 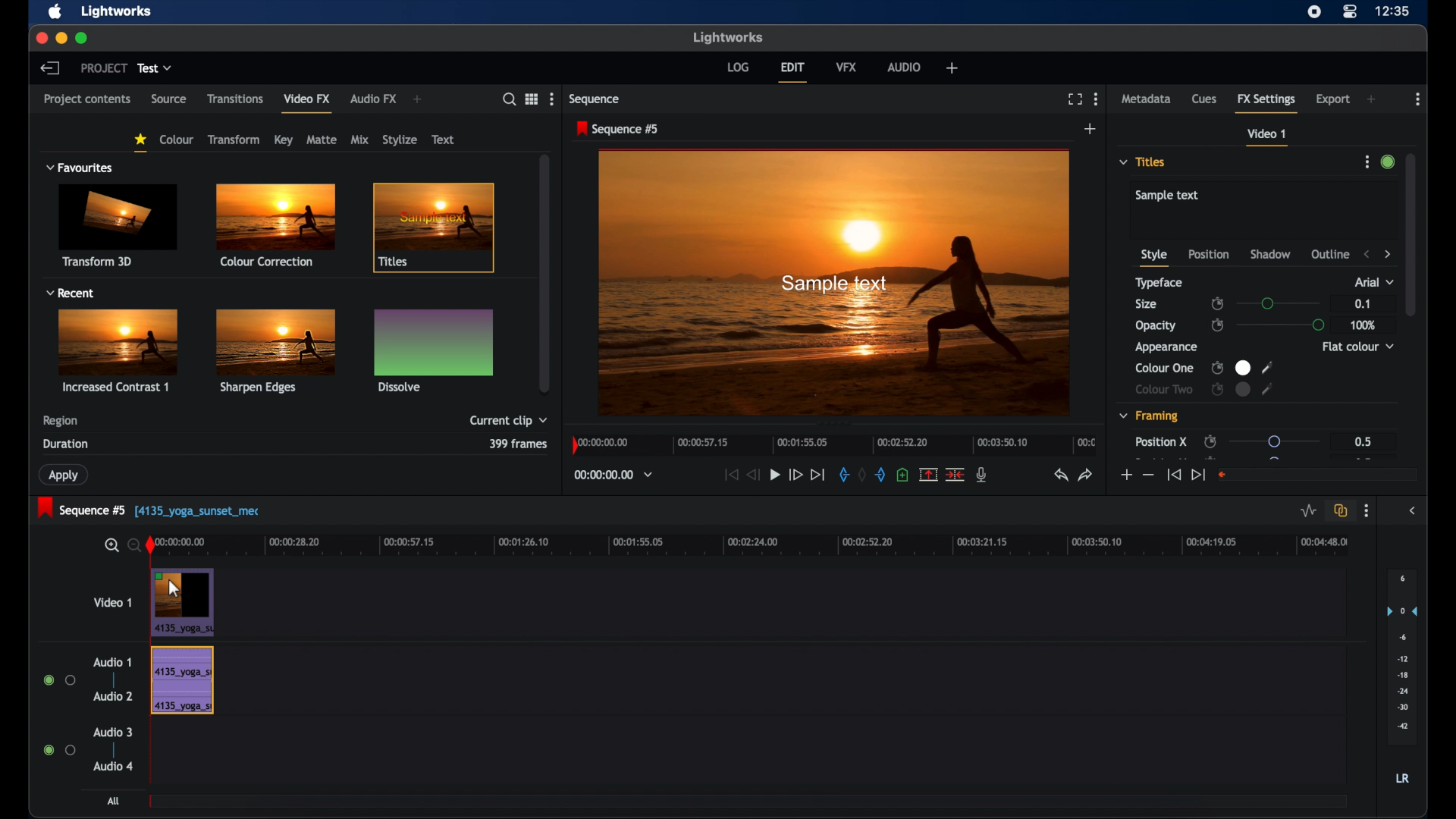 I want to click on delete cut, so click(x=956, y=474).